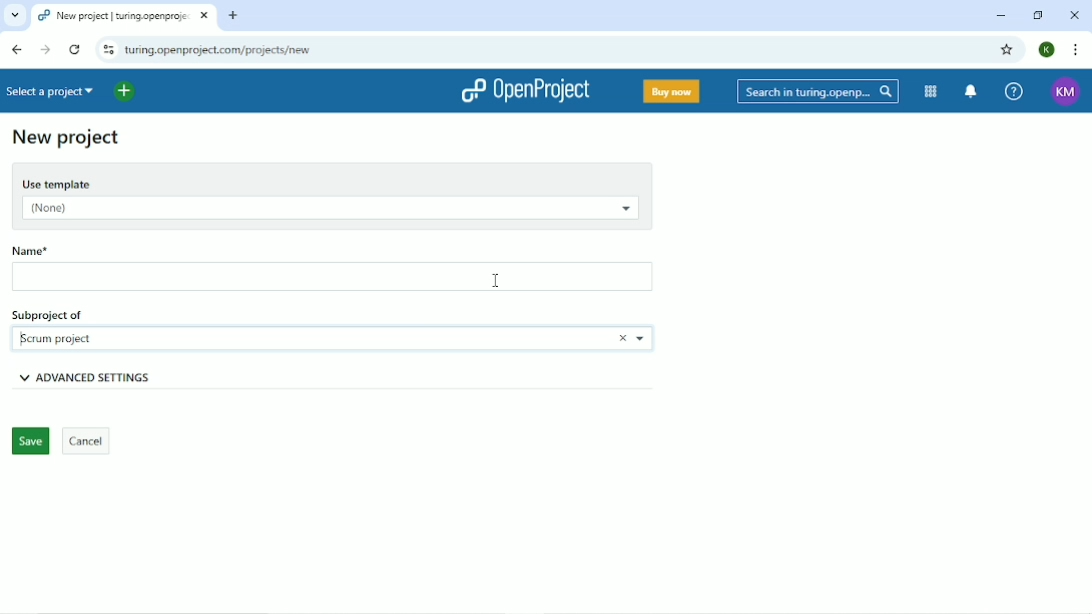 Image resolution: width=1092 pixels, height=614 pixels. What do you see at coordinates (1007, 49) in the screenshot?
I see `Bookmark this tab` at bounding box center [1007, 49].